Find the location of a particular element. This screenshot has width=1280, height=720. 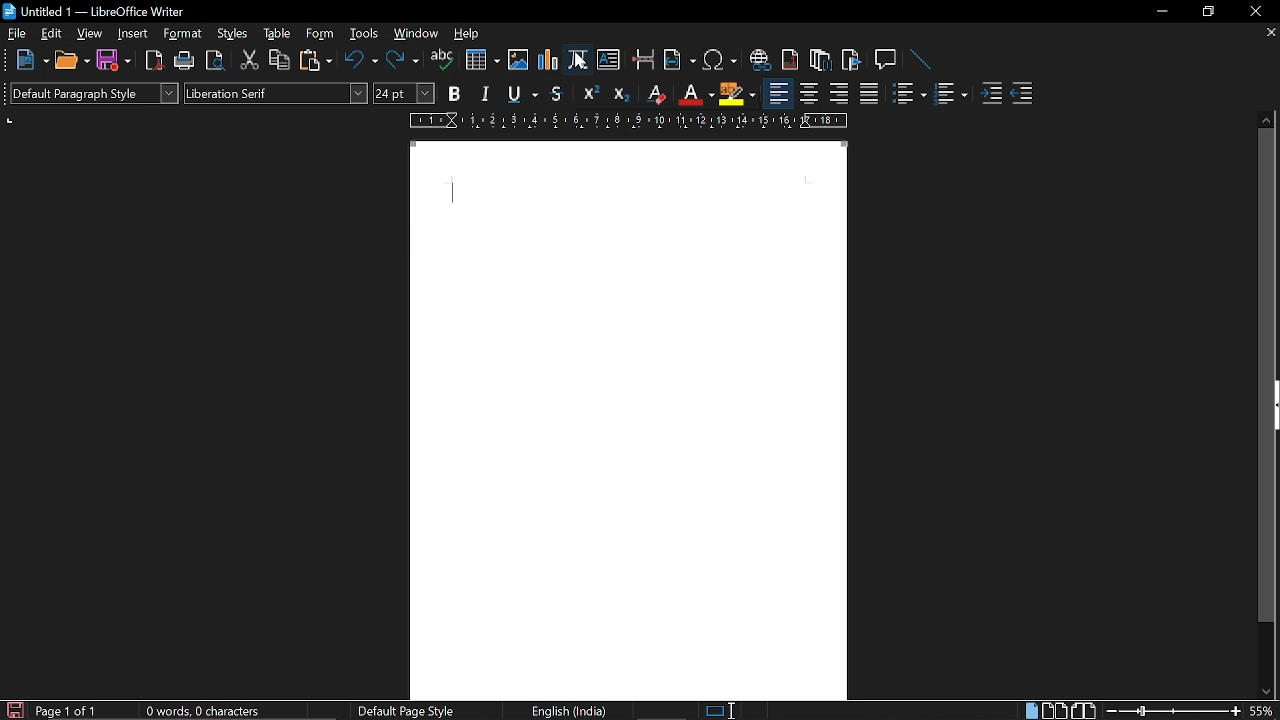

help is located at coordinates (470, 35).